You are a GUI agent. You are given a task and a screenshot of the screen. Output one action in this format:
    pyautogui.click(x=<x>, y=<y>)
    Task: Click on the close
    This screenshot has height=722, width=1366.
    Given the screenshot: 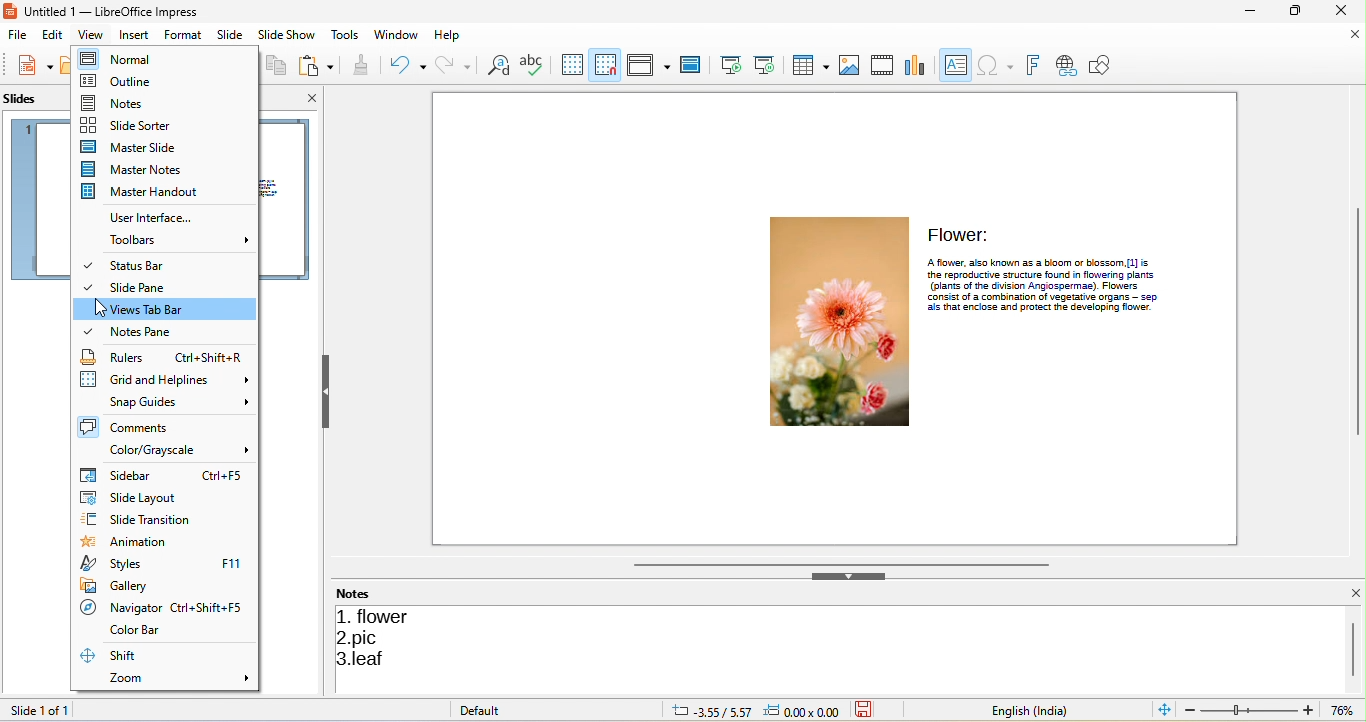 What is the action you would take?
    pyautogui.click(x=306, y=97)
    